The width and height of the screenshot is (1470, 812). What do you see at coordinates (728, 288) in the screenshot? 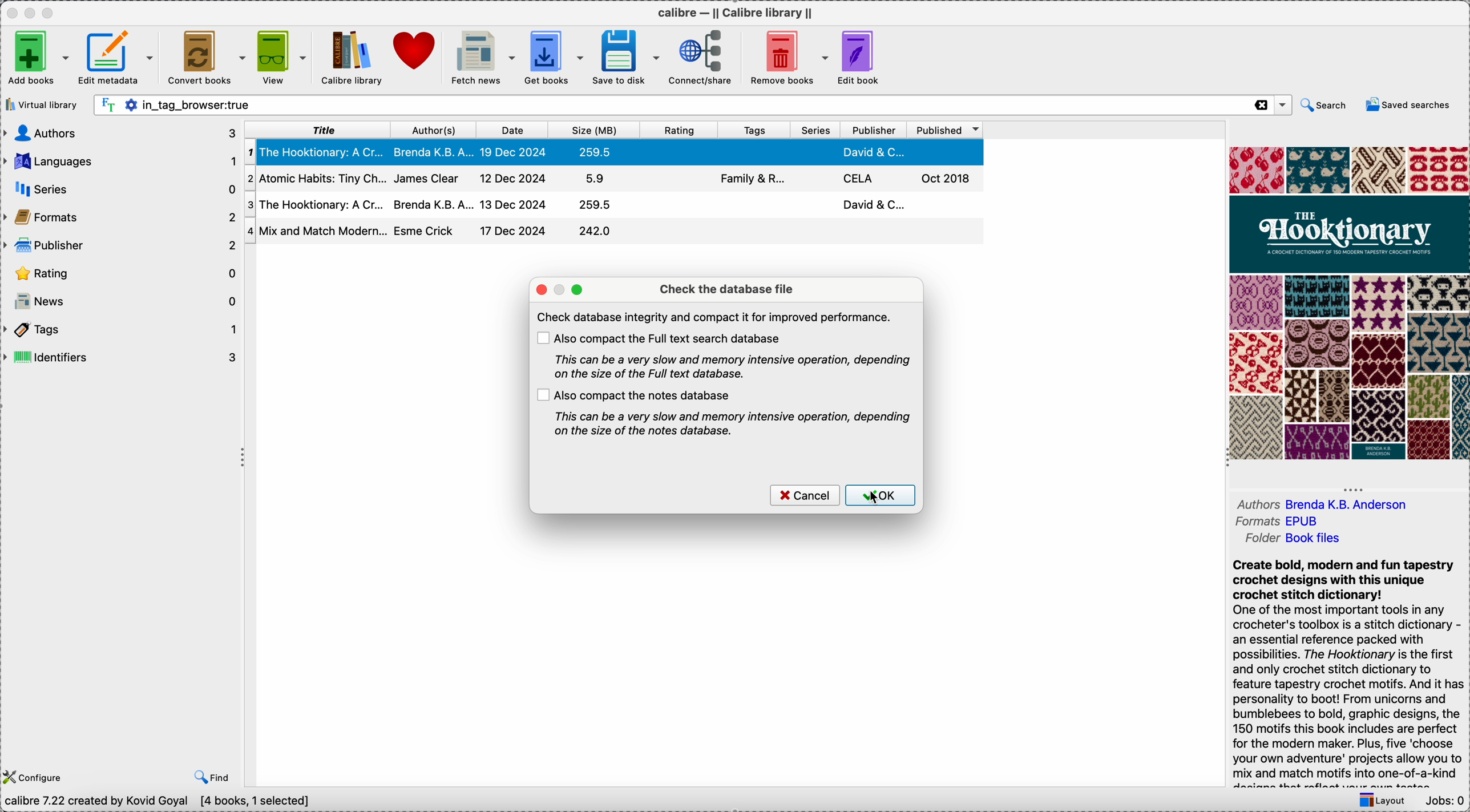
I see `check the database file` at bounding box center [728, 288].